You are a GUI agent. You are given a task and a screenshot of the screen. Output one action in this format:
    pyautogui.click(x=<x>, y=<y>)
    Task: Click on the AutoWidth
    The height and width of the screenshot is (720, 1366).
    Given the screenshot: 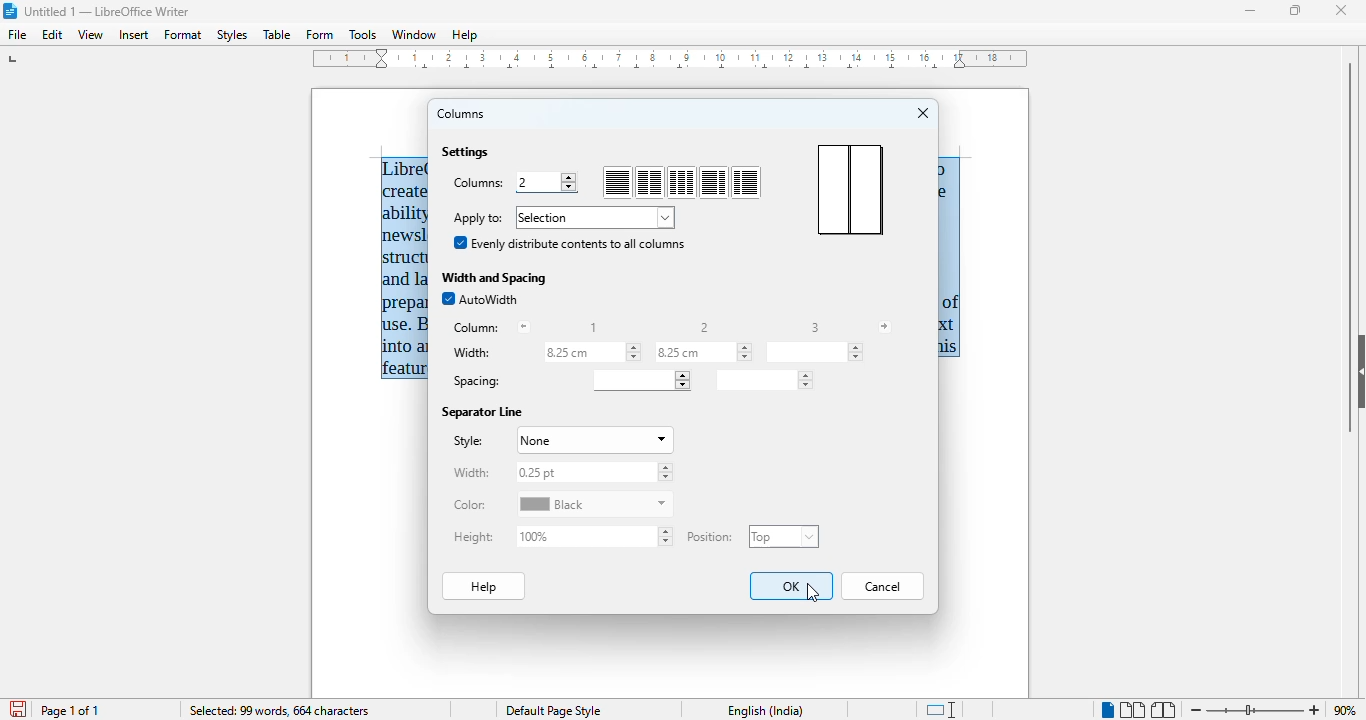 What is the action you would take?
    pyautogui.click(x=480, y=299)
    